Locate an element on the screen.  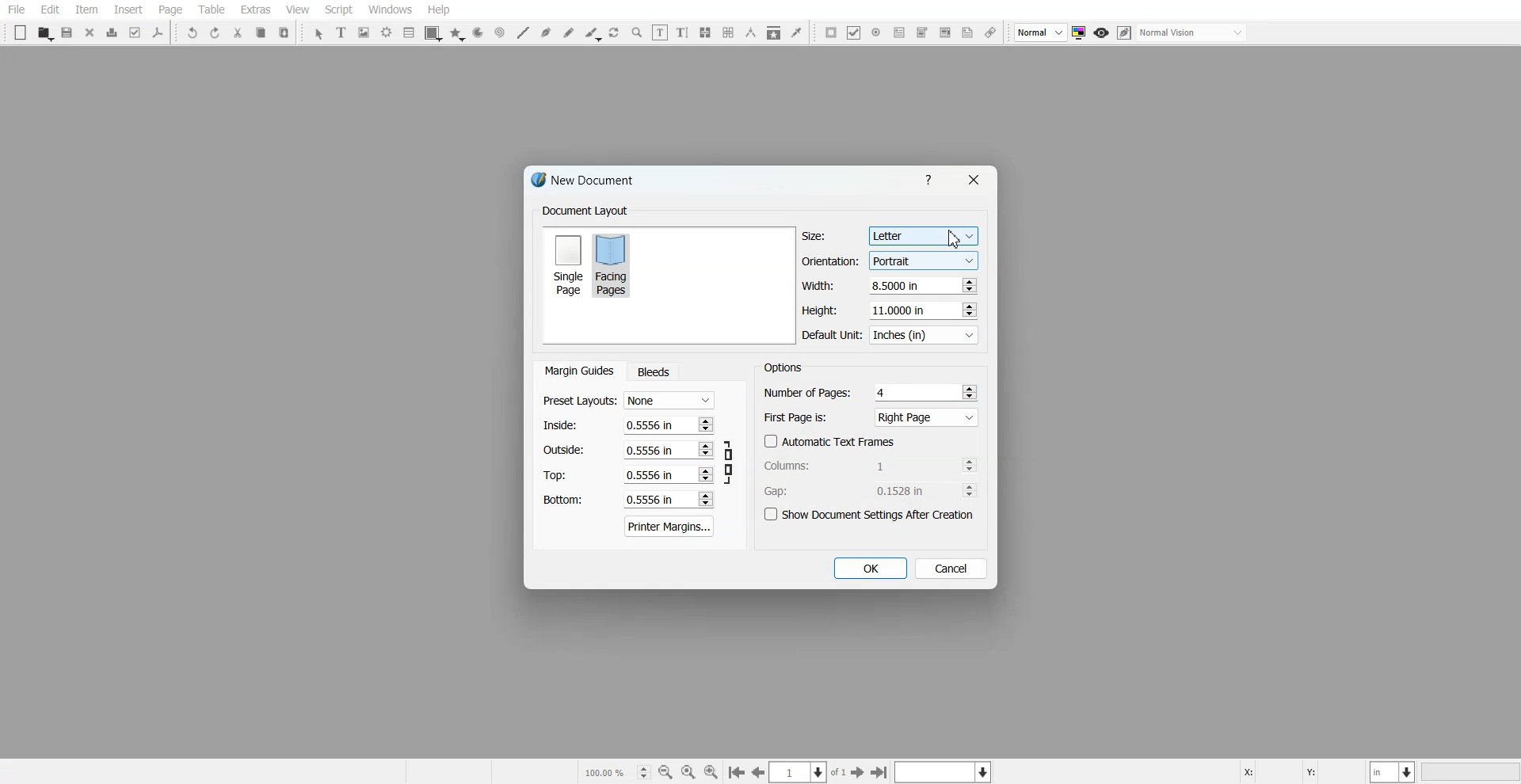
Select visual appearance of the display is located at coordinates (1193, 33).